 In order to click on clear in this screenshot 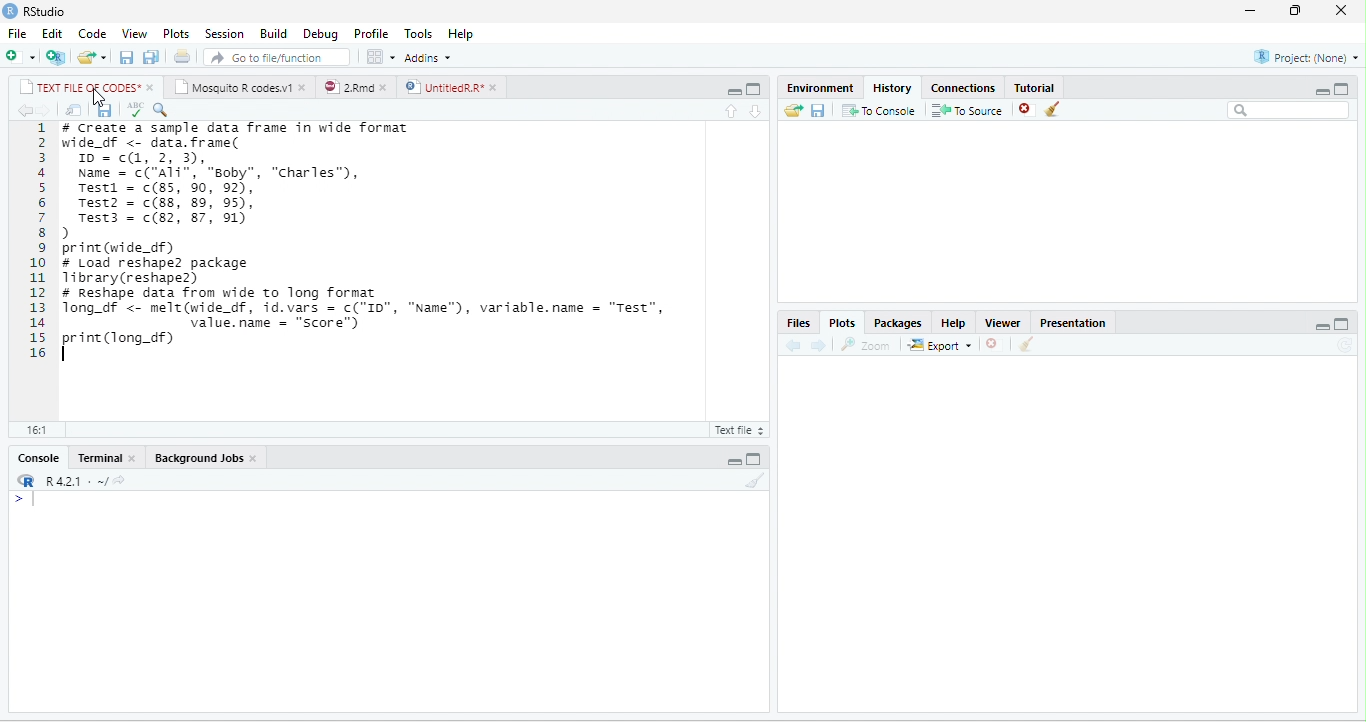, I will do `click(756, 480)`.